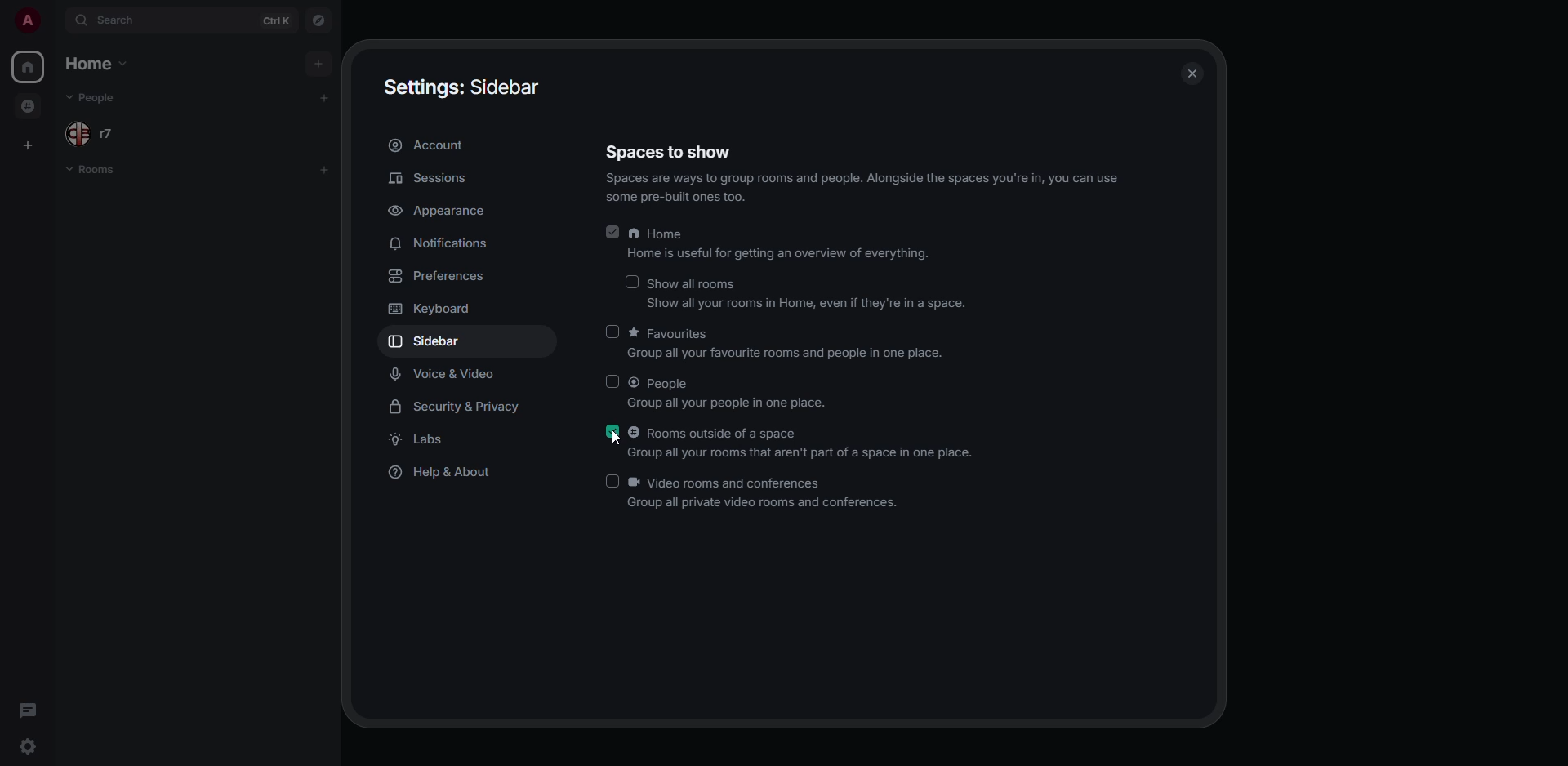  Describe the element at coordinates (612, 483) in the screenshot. I see `click to enable` at that location.